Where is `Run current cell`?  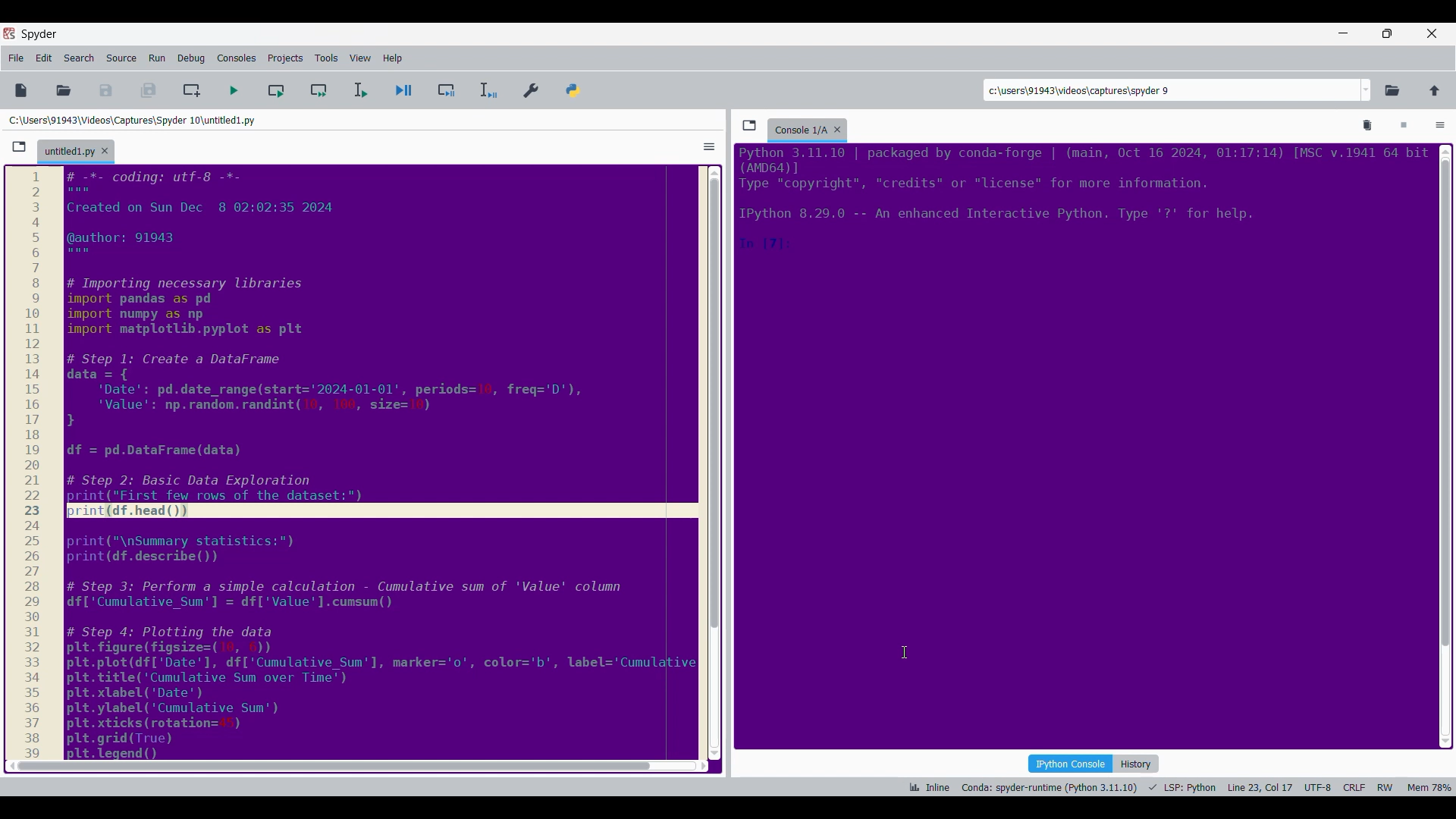
Run current cell is located at coordinates (276, 90).